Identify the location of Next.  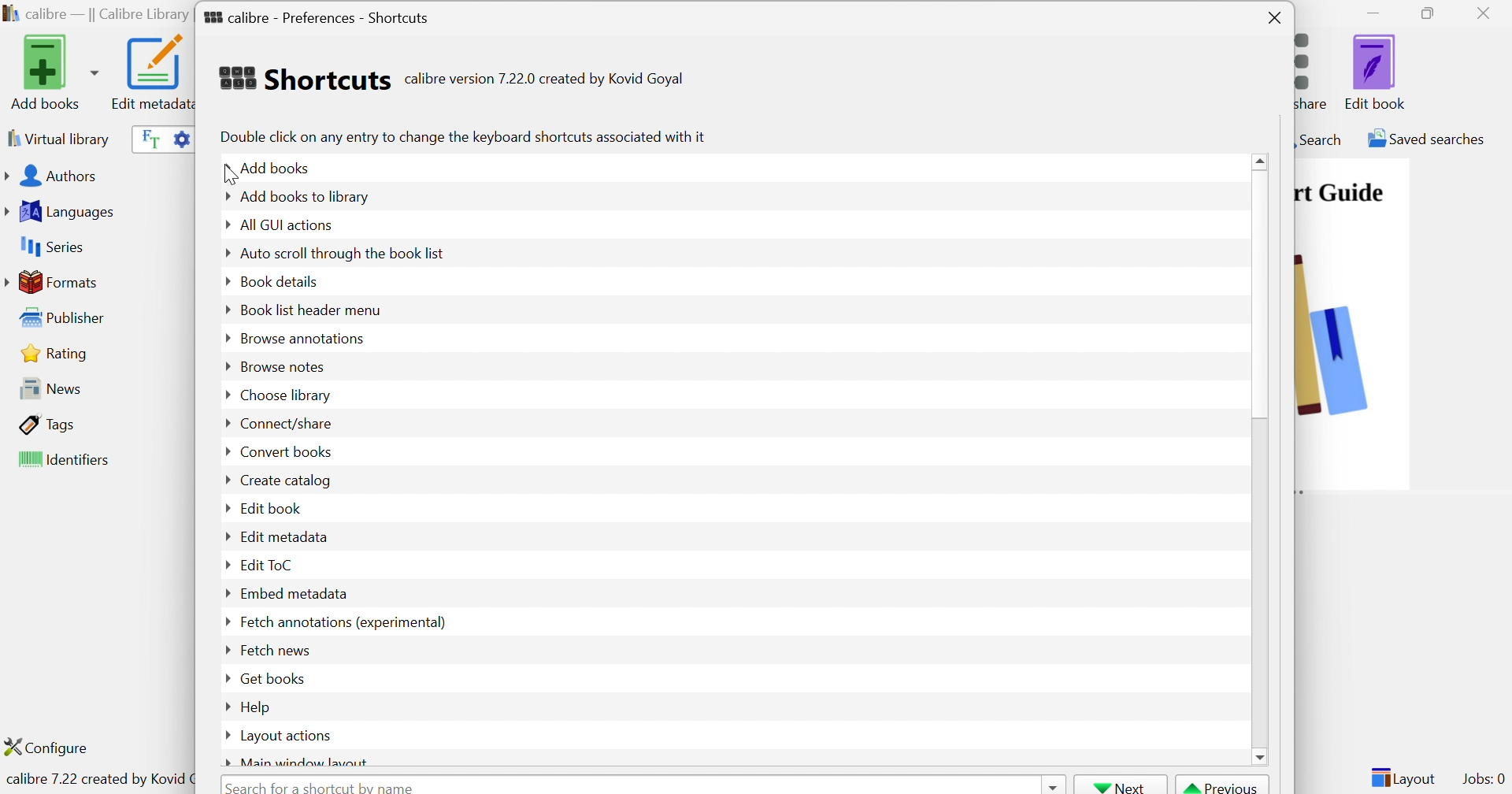
(1121, 785).